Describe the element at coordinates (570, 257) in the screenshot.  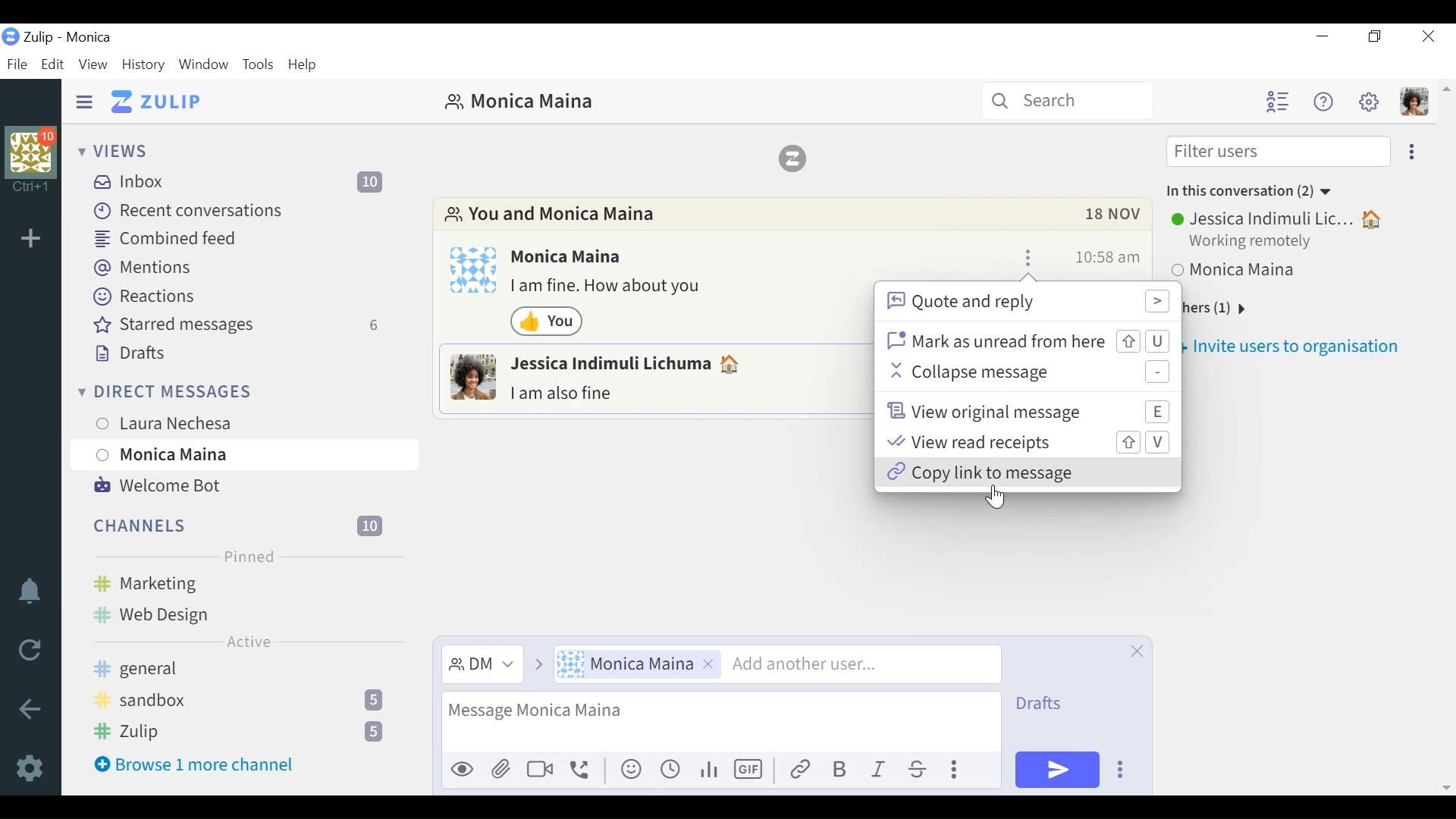
I see `Monica Maina` at that location.